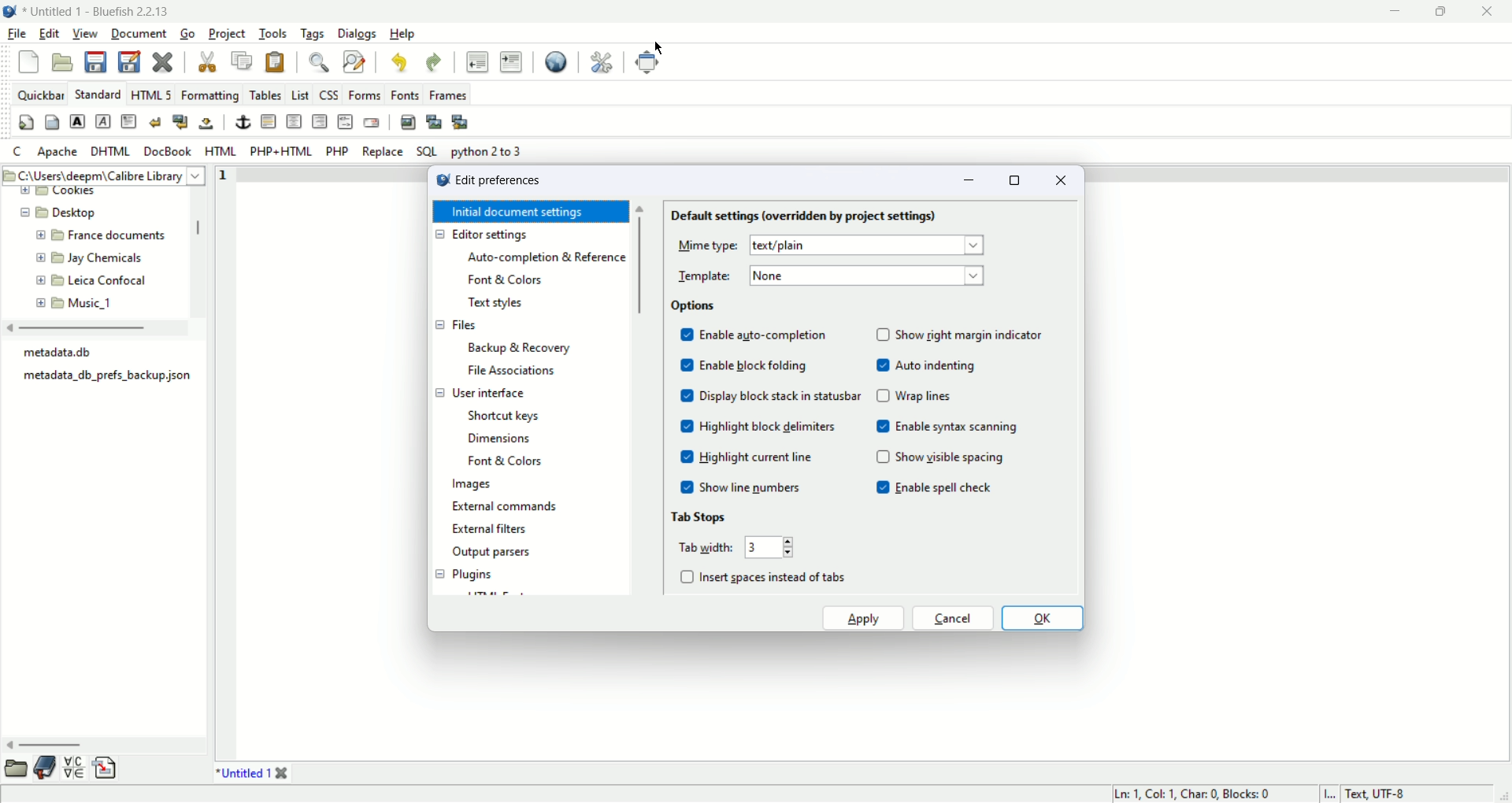  What do you see at coordinates (321, 64) in the screenshot?
I see `find` at bounding box center [321, 64].